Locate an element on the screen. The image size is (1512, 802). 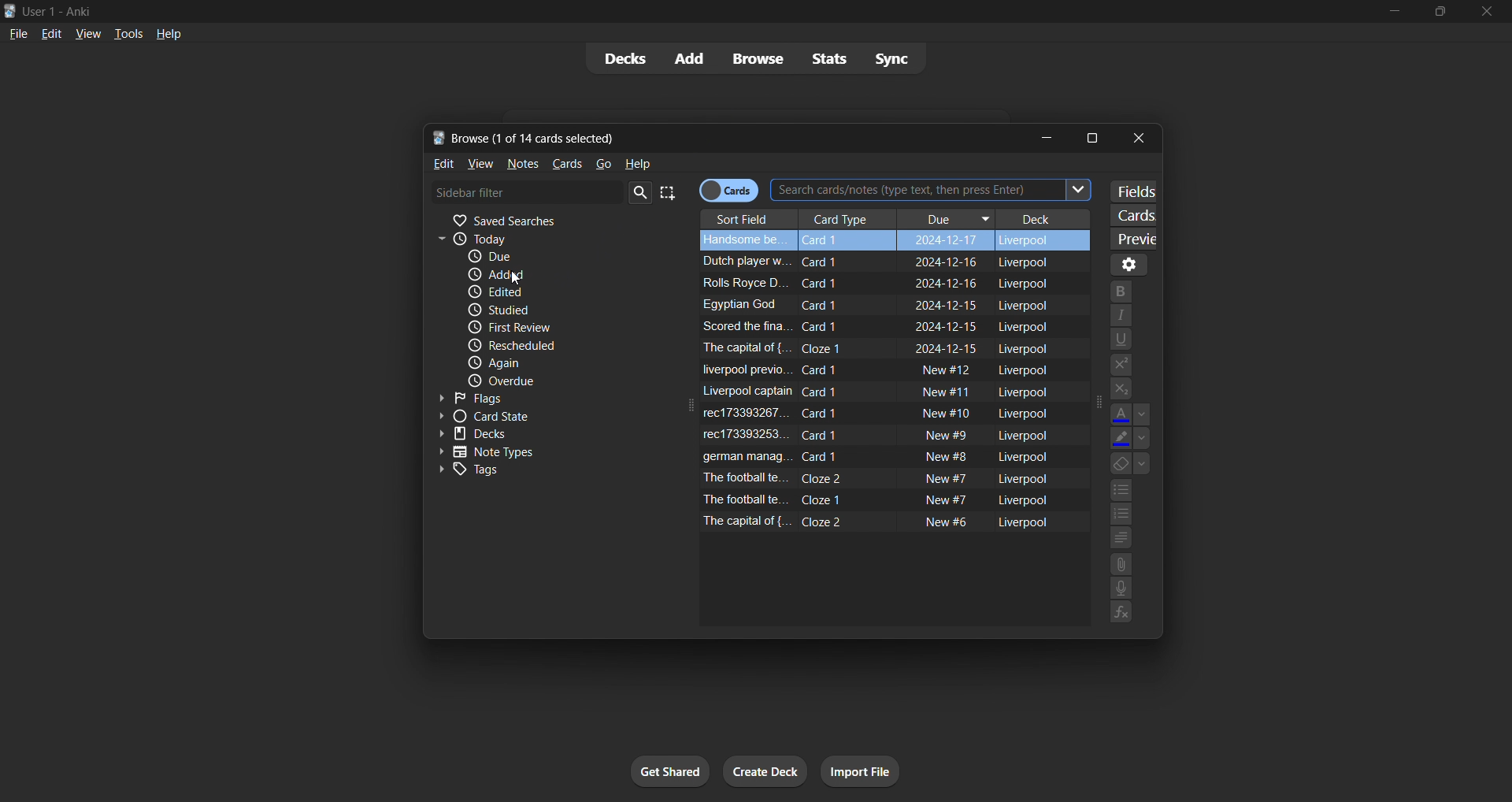
notes is located at coordinates (526, 163).